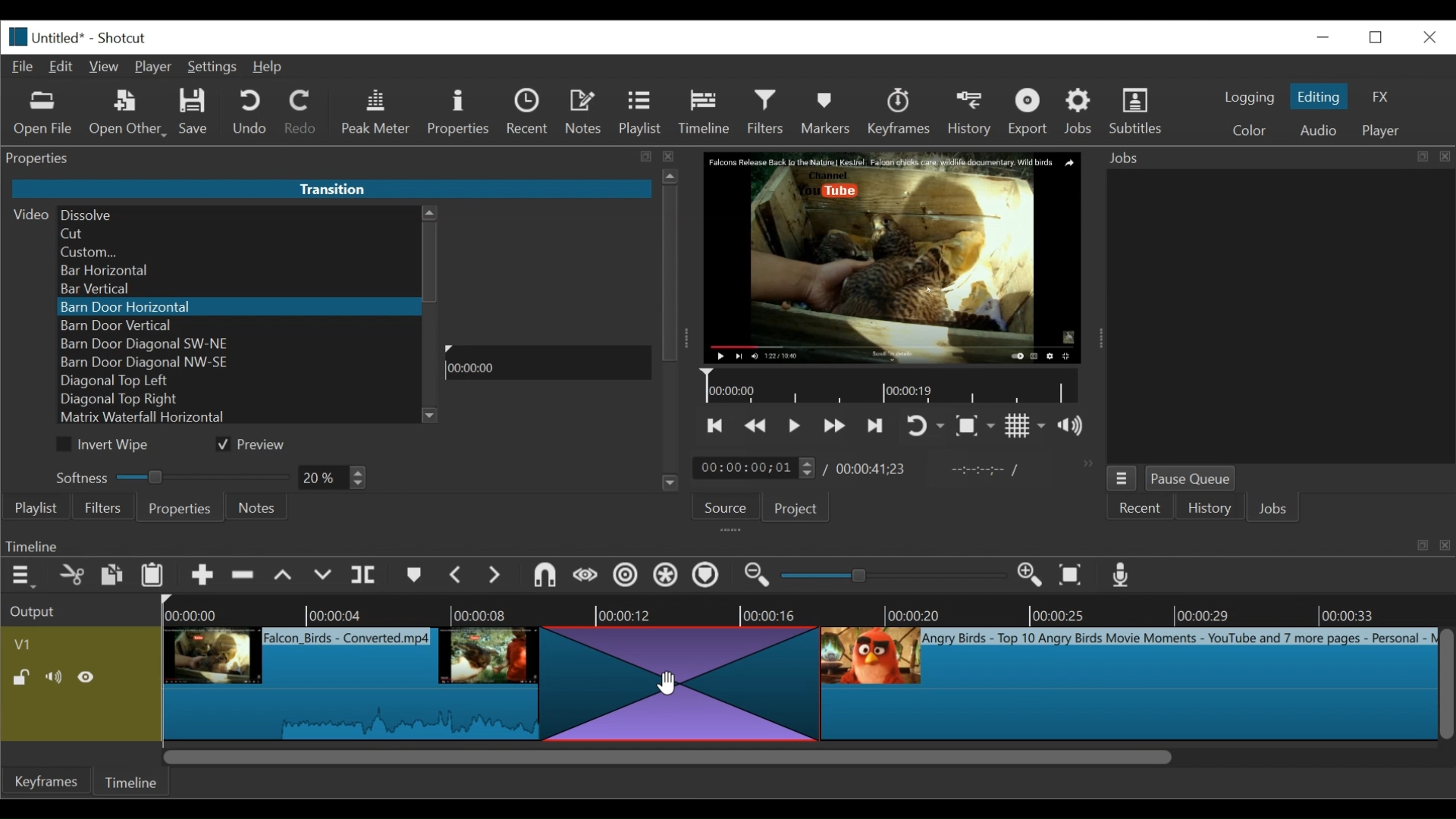  I want to click on Ripple all tracks, so click(667, 576).